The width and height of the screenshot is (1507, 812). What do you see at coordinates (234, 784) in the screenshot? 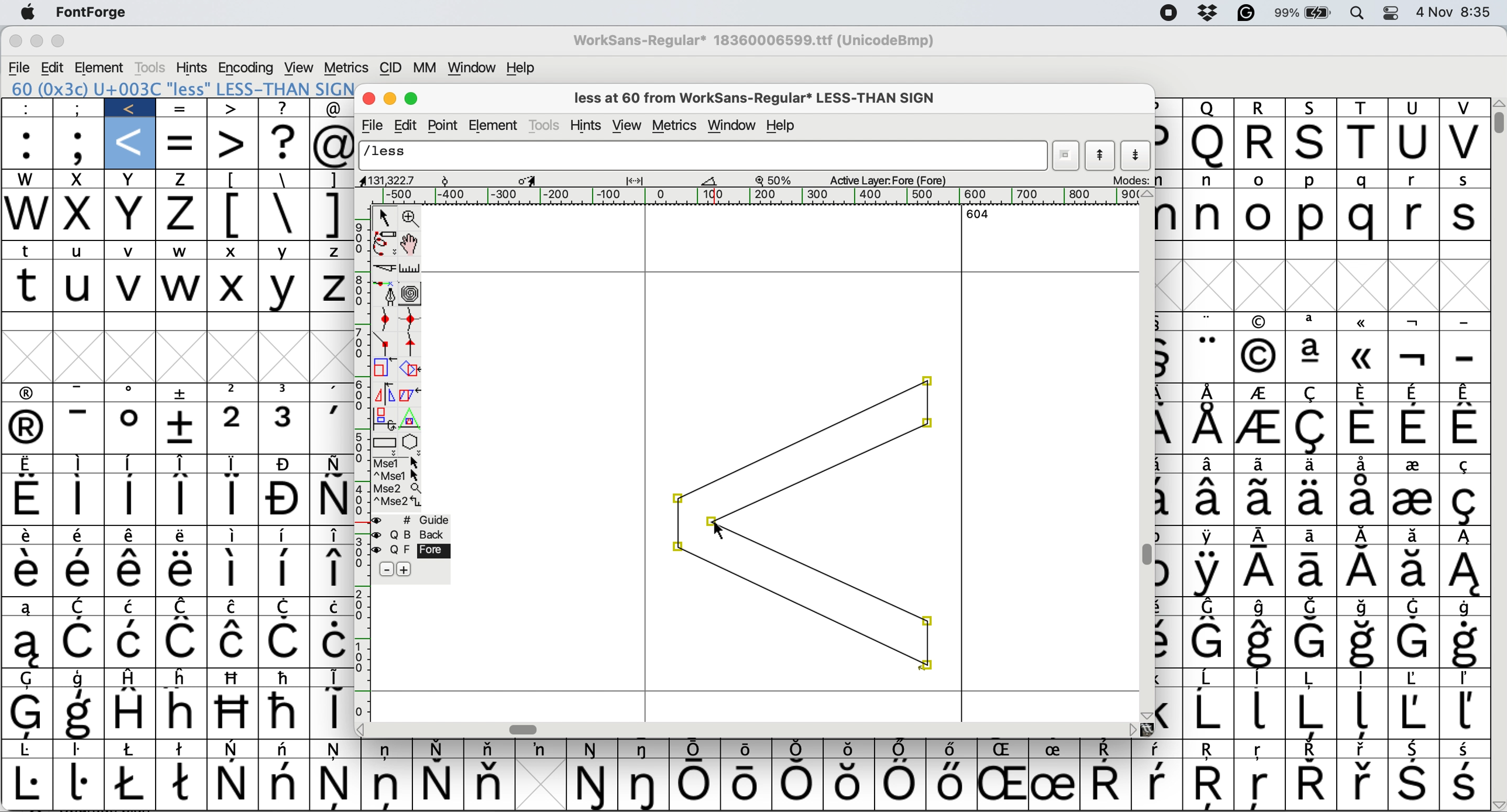
I see `Symbol` at bounding box center [234, 784].